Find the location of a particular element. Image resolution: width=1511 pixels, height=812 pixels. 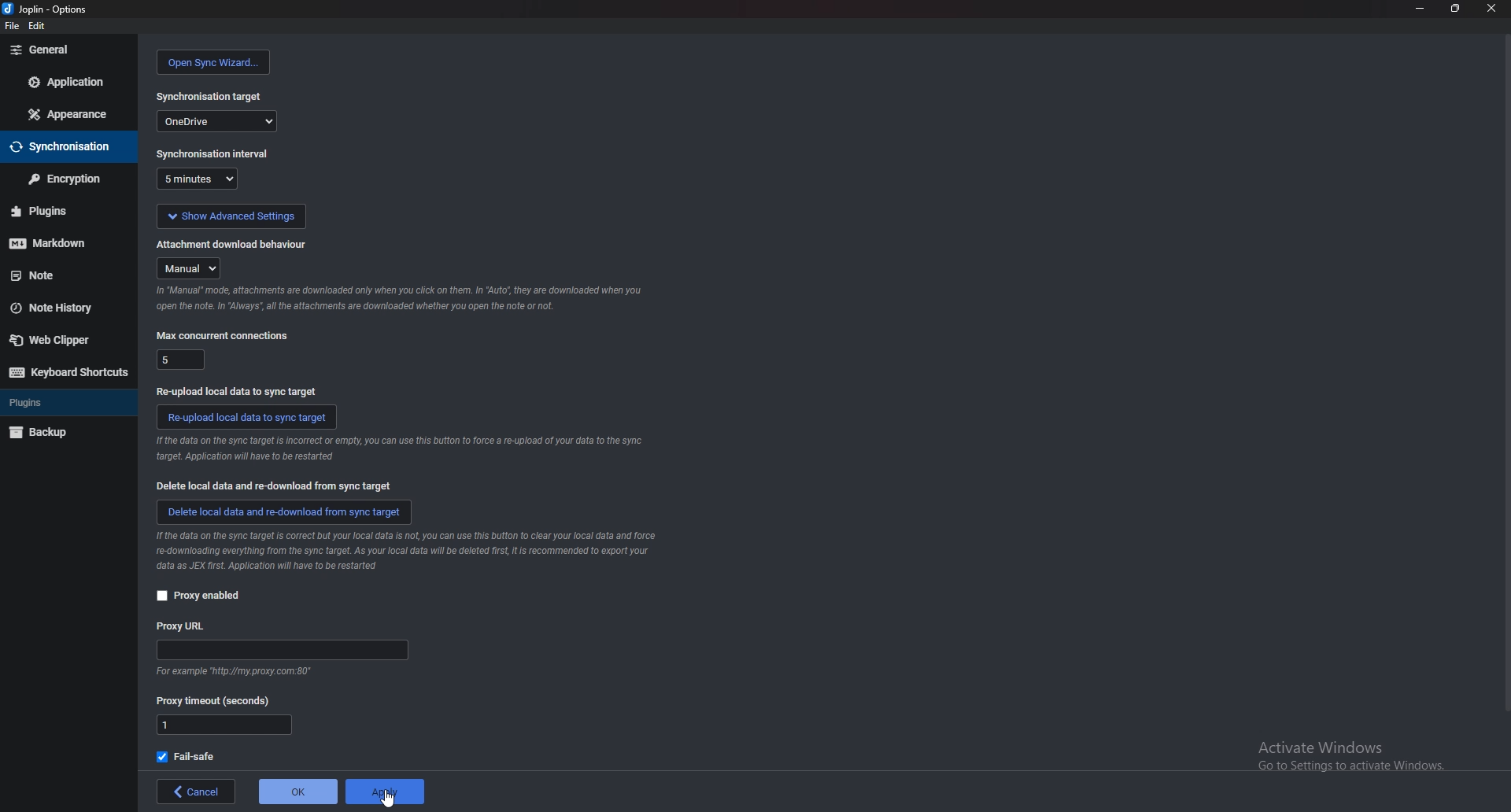

apply is located at coordinates (385, 792).